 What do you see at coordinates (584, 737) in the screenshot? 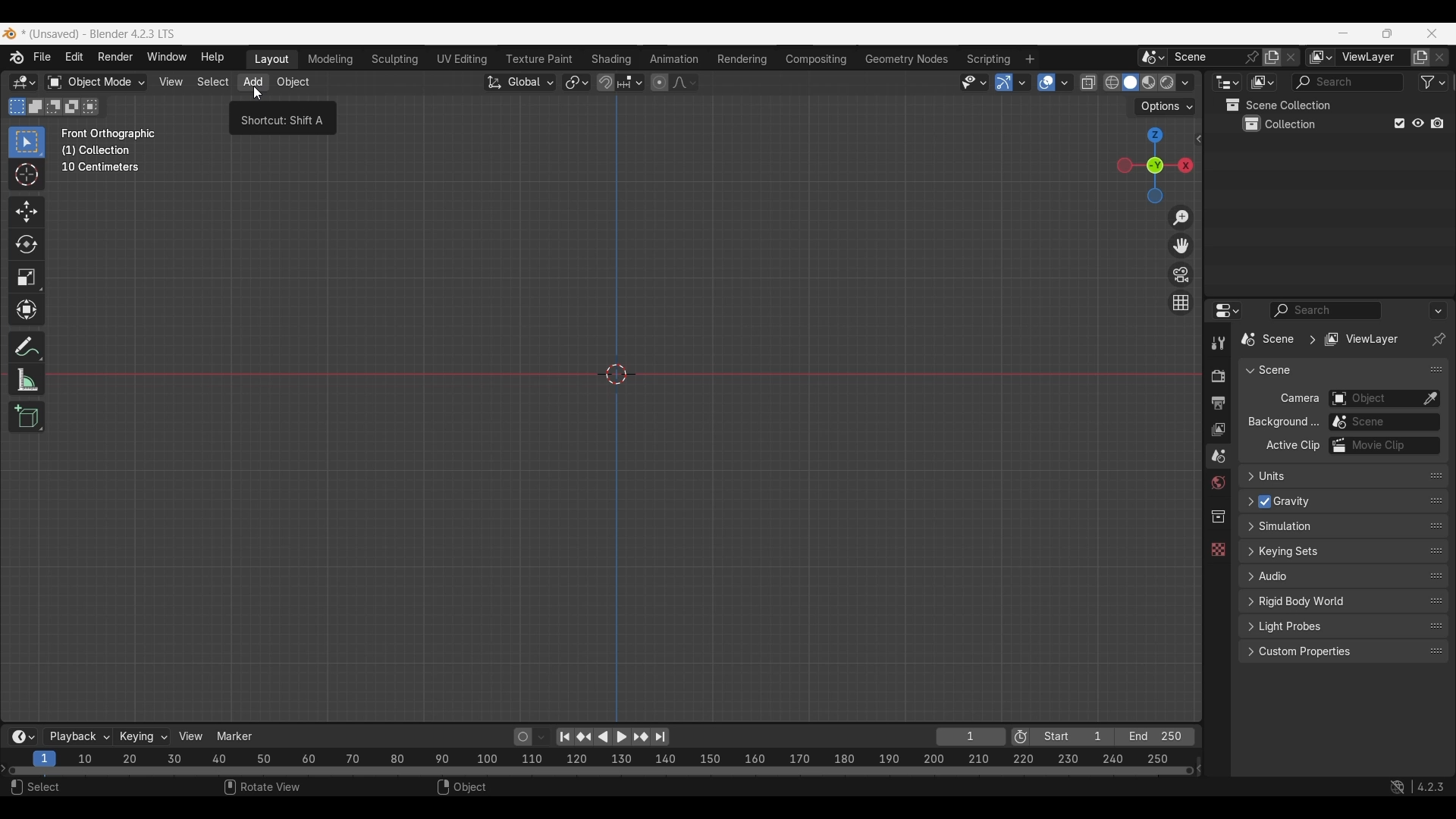
I see `Jump to key frame` at bounding box center [584, 737].